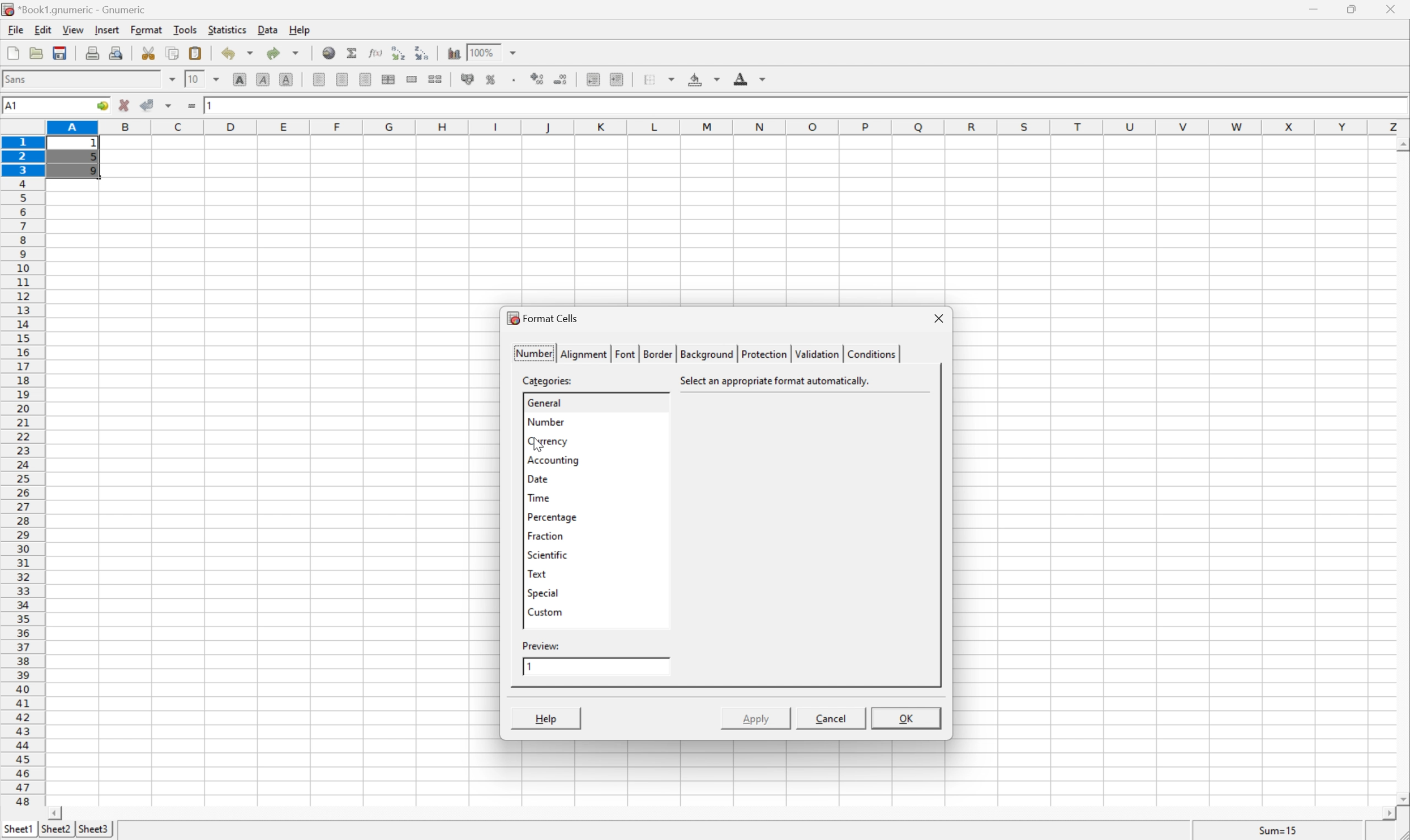  What do you see at coordinates (554, 460) in the screenshot?
I see `accounting` at bounding box center [554, 460].